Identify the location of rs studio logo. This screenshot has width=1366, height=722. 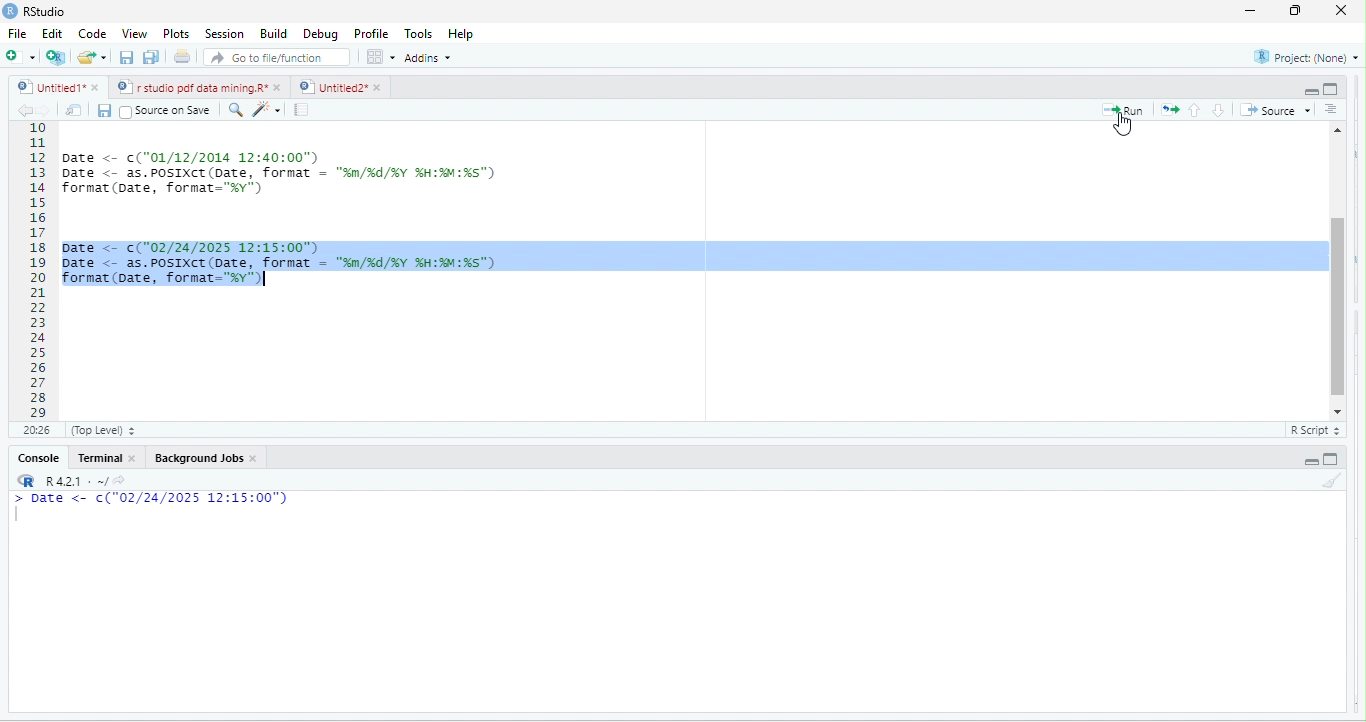
(12, 10).